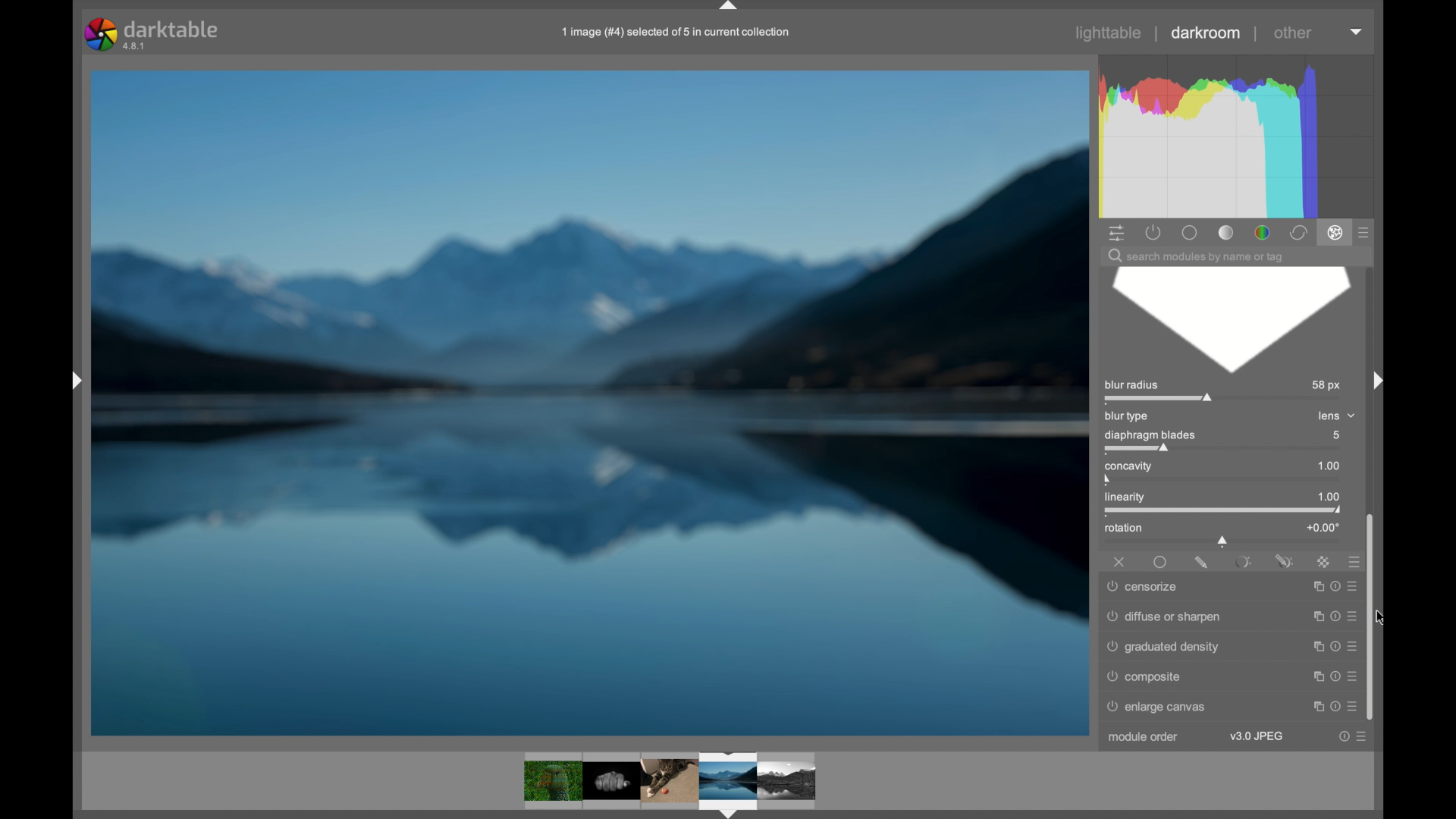 The height and width of the screenshot is (819, 1456). Describe the element at coordinates (730, 7) in the screenshot. I see `drag handle` at that location.